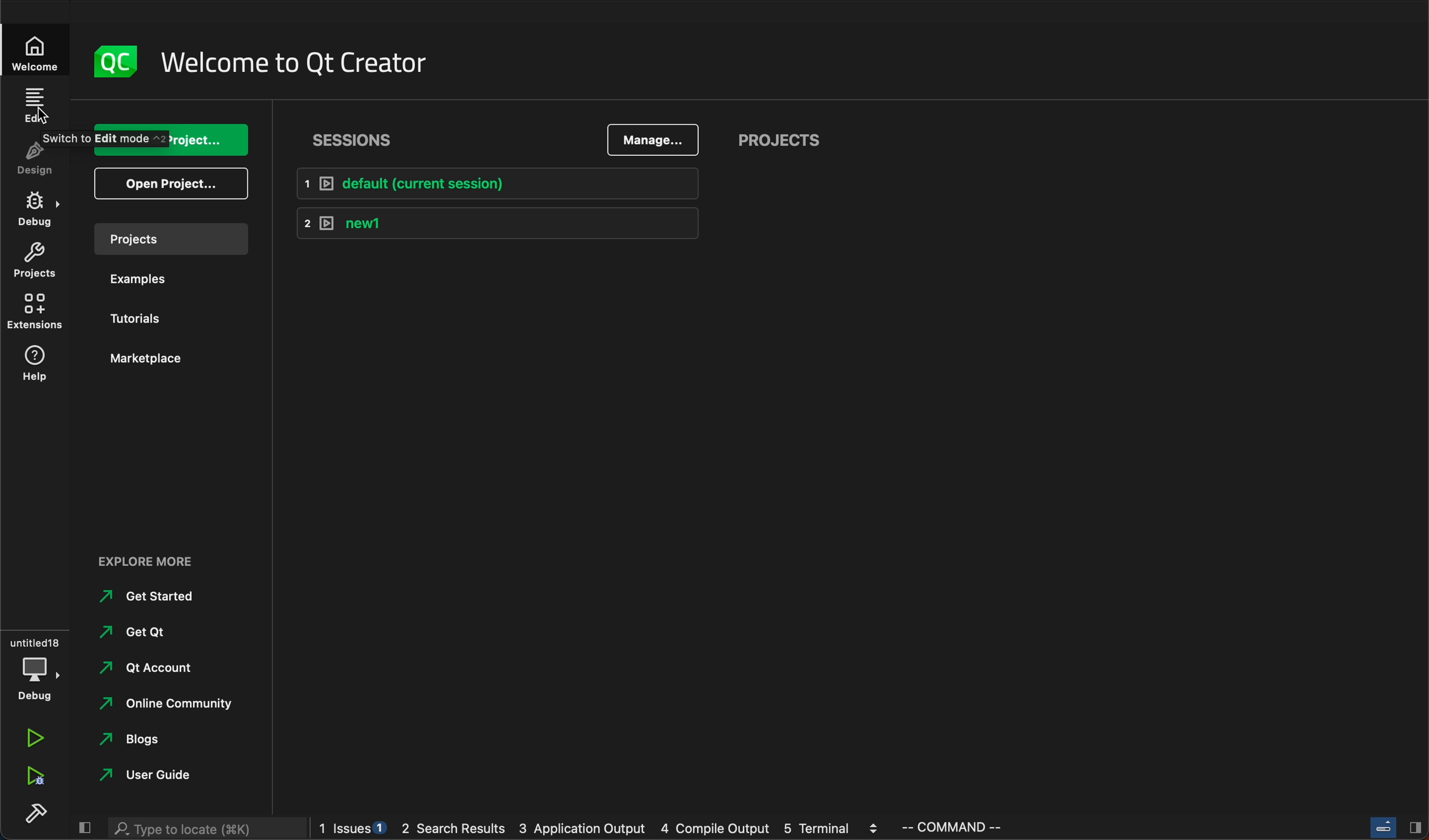 This screenshot has height=840, width=1429. Describe the element at coordinates (458, 831) in the screenshot. I see `2 search result` at that location.